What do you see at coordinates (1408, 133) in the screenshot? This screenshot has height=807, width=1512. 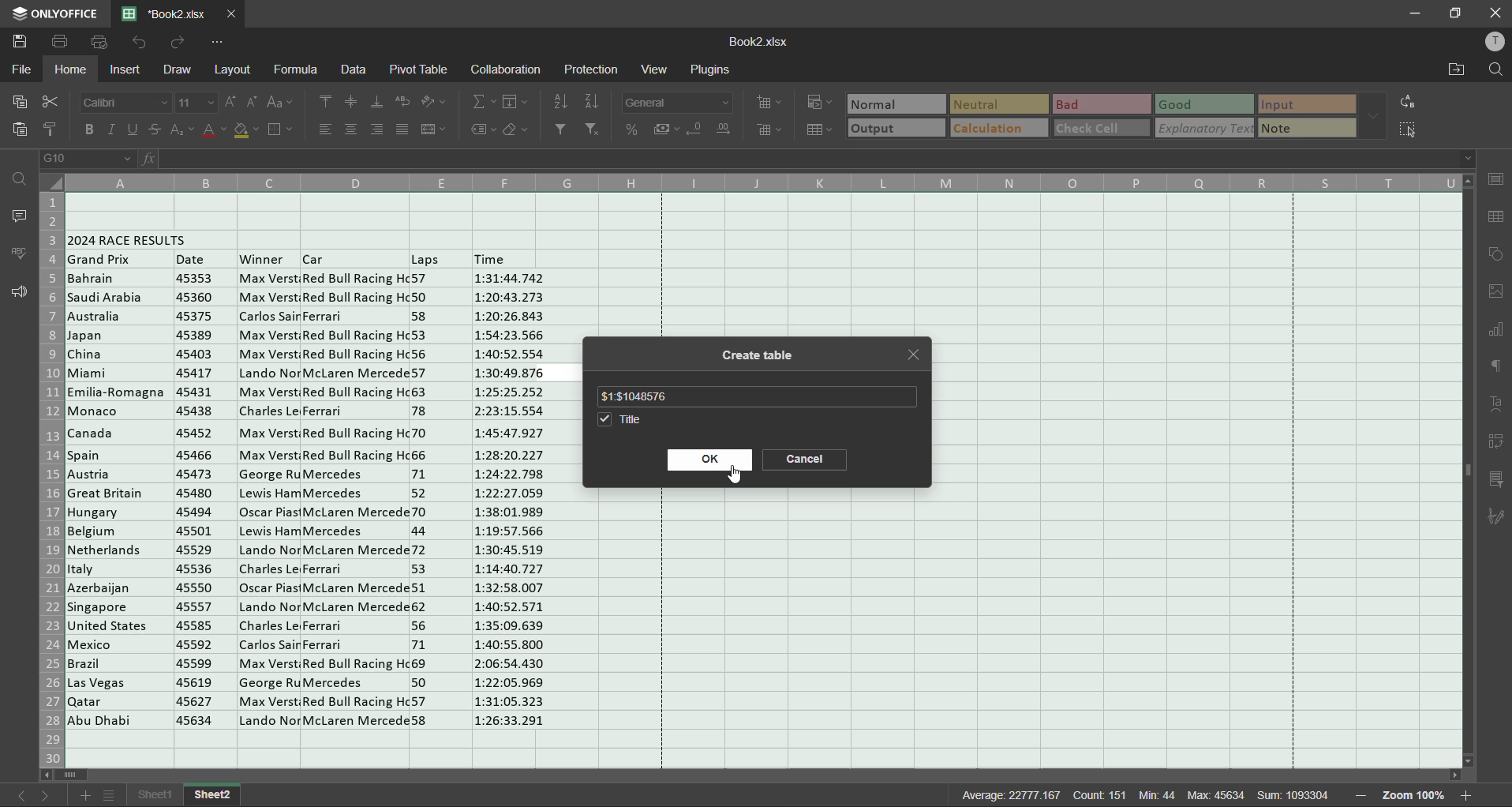 I see `select cells` at bounding box center [1408, 133].